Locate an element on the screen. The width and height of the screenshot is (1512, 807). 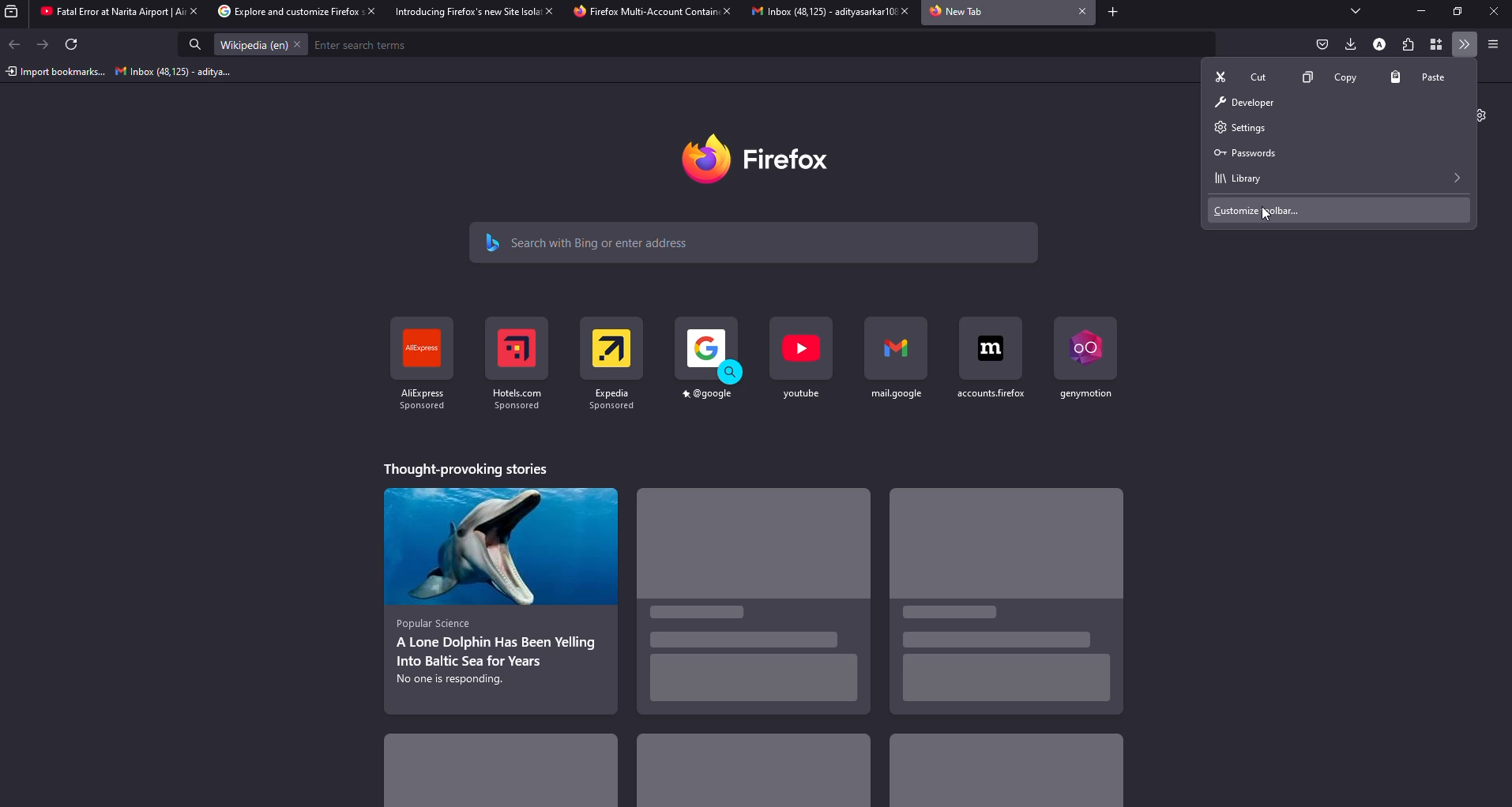
profile is located at coordinates (1378, 43).